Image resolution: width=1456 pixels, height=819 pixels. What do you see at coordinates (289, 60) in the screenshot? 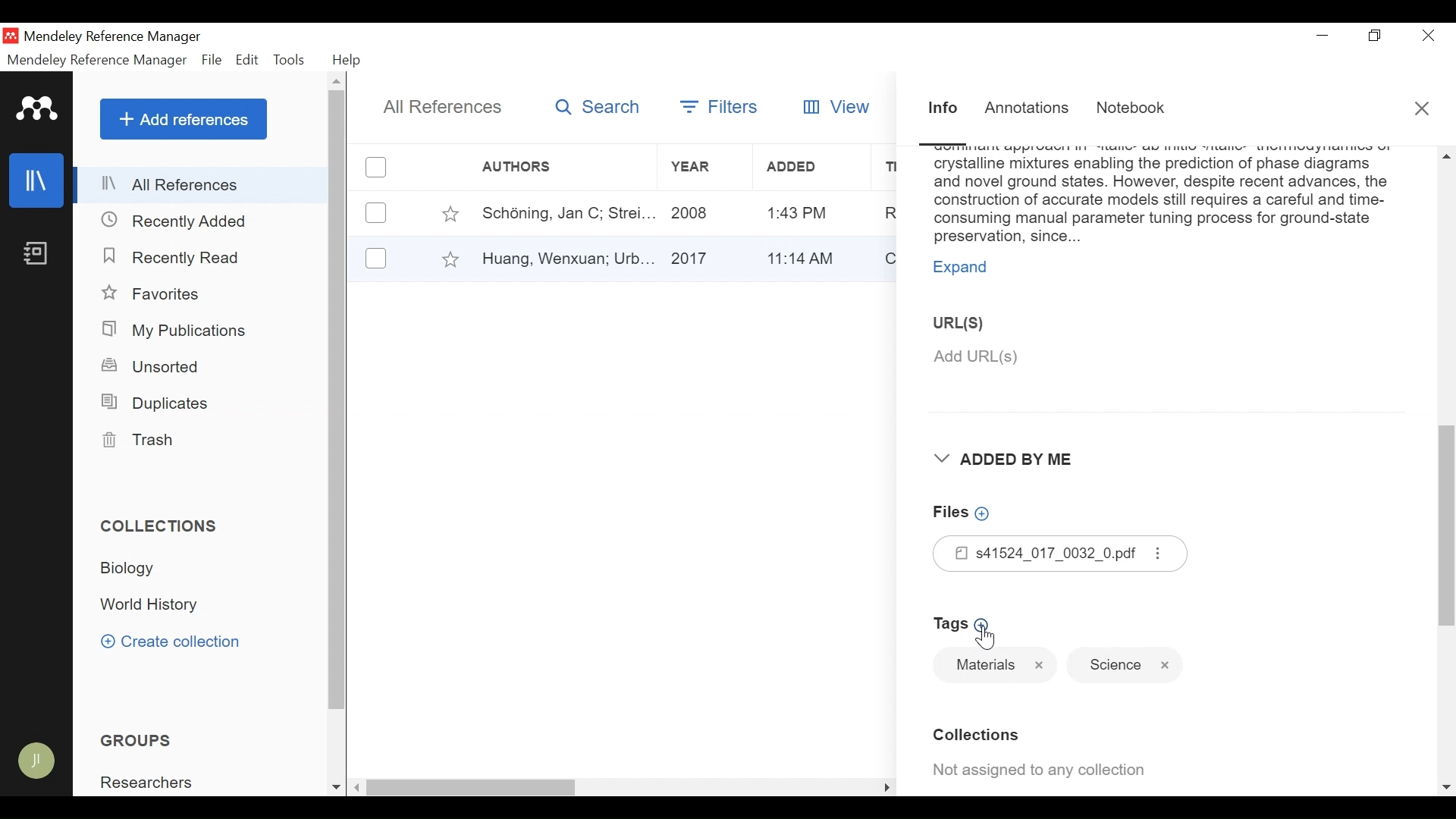
I see `Tools` at bounding box center [289, 60].